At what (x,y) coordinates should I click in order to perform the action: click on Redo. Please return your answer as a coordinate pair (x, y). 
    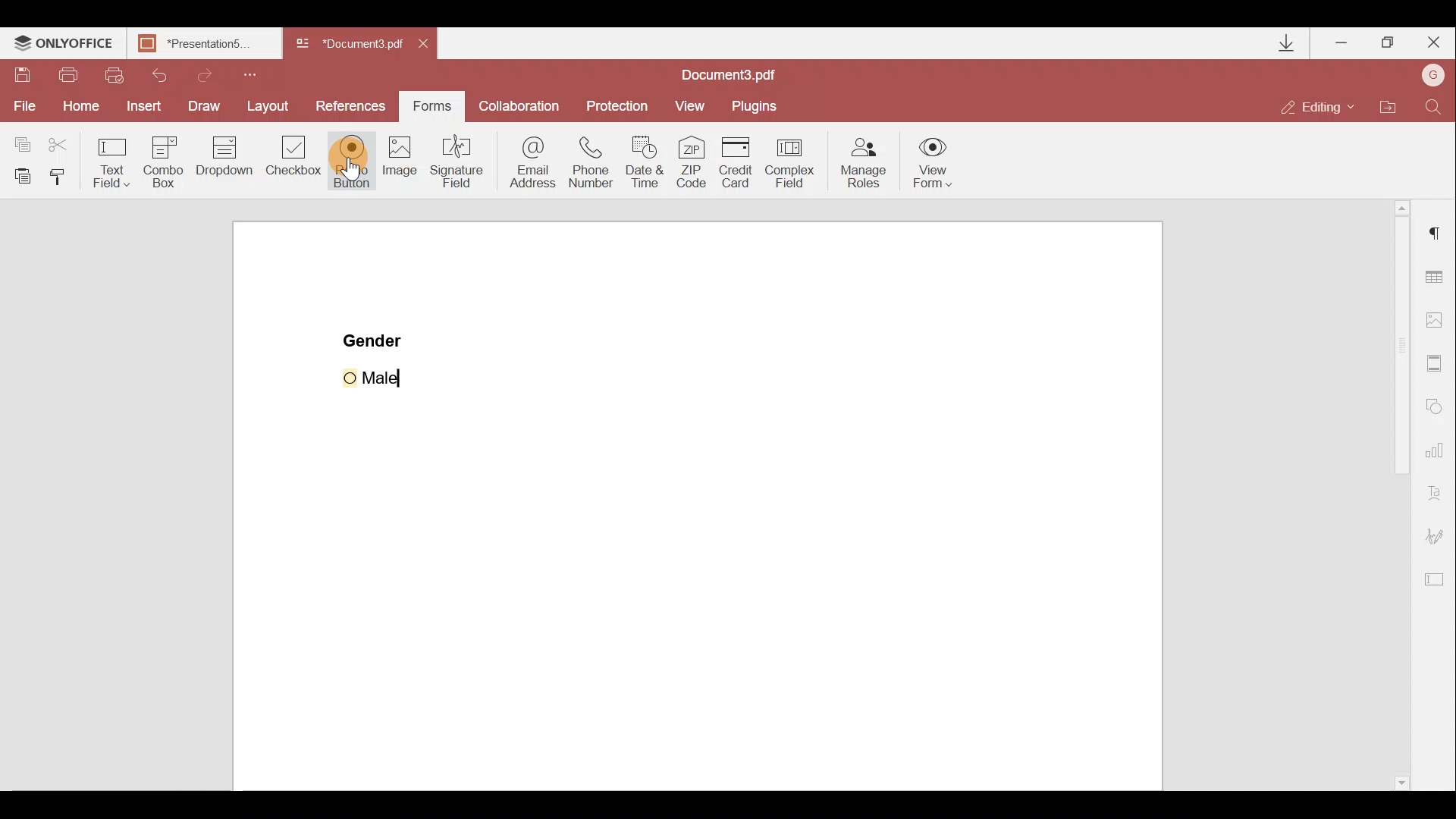
    Looking at the image, I should click on (218, 75).